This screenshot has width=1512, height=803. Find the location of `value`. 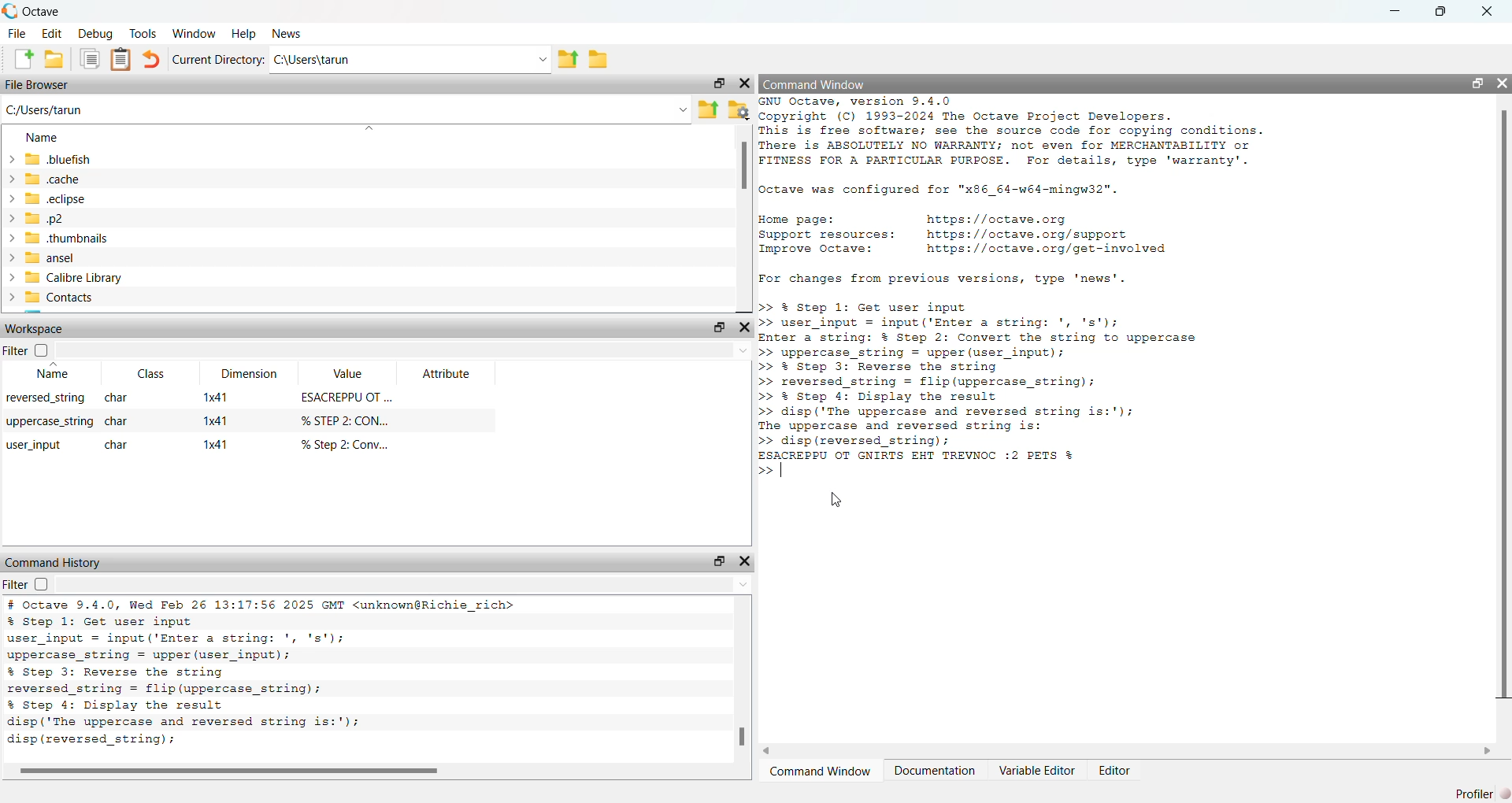

value is located at coordinates (350, 376).